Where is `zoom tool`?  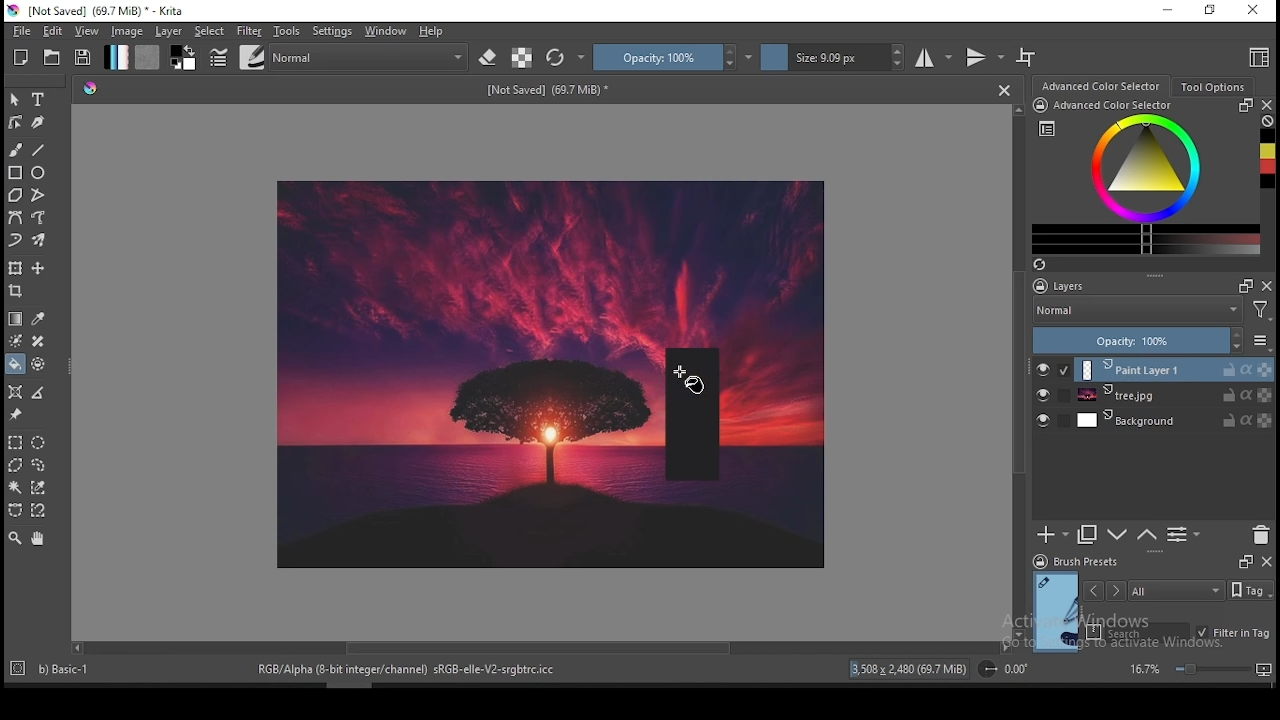
zoom tool is located at coordinates (15, 539).